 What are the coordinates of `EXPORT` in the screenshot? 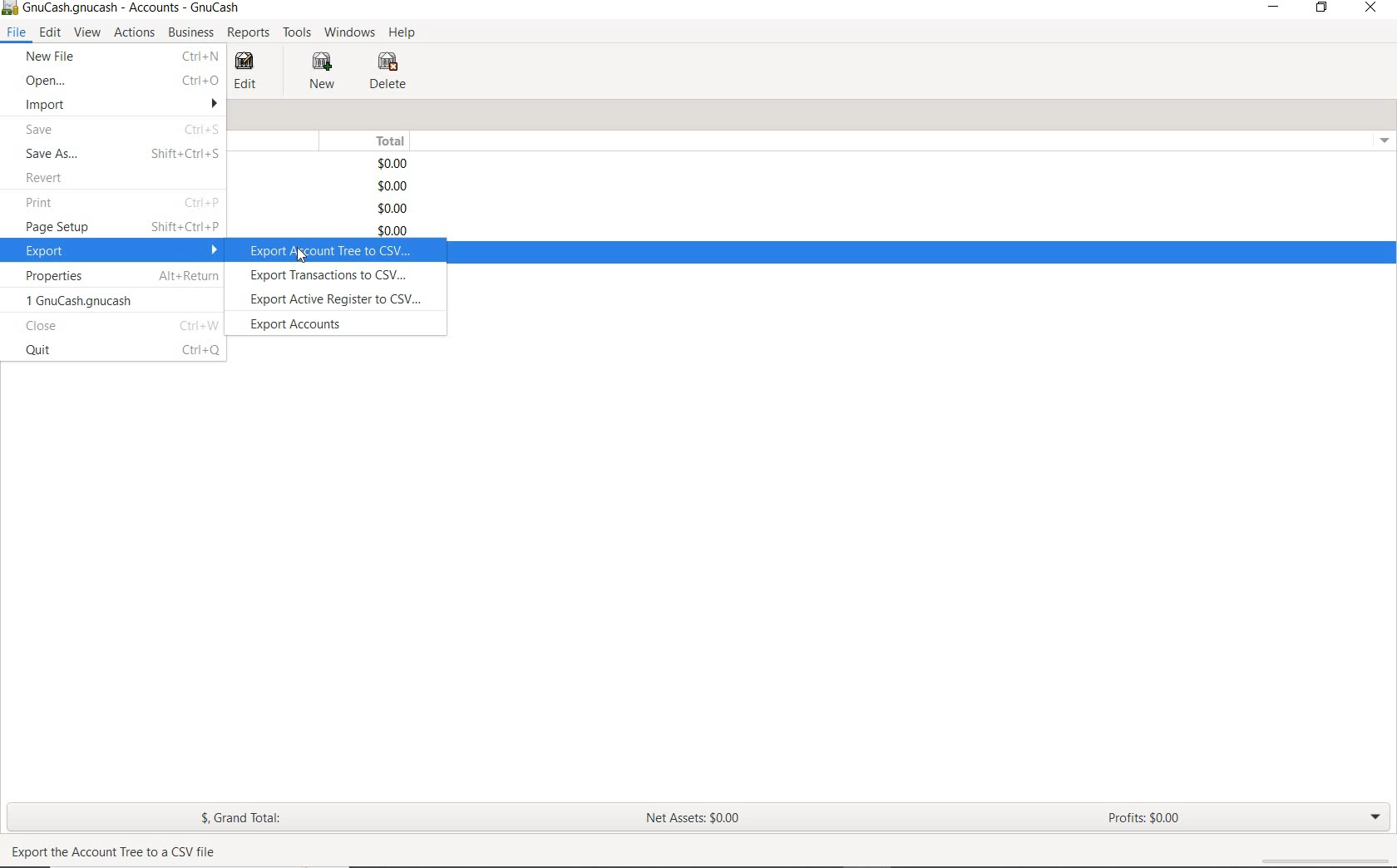 It's located at (41, 253).